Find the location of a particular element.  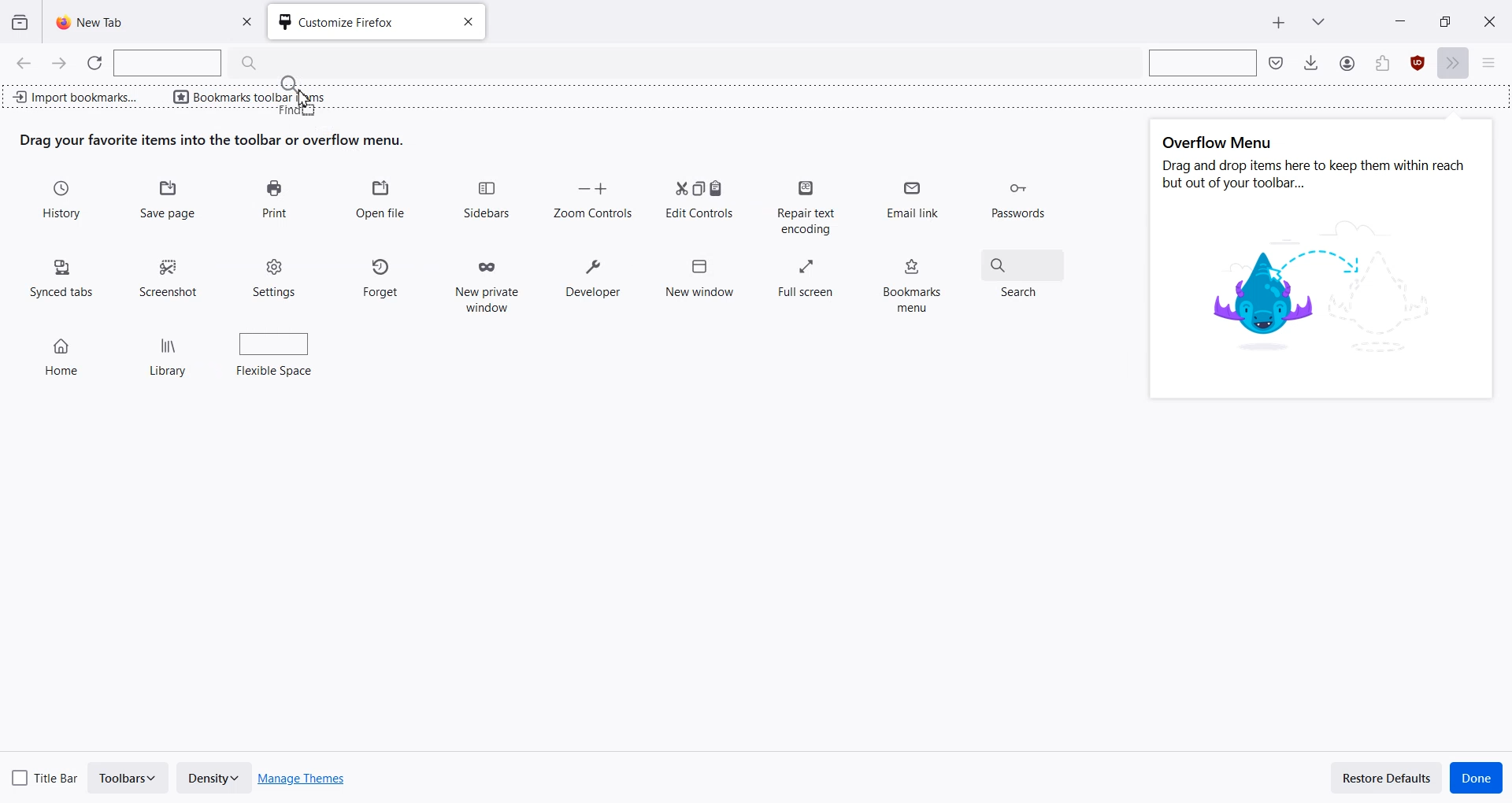

Customize Firefox is located at coordinates (356, 23).